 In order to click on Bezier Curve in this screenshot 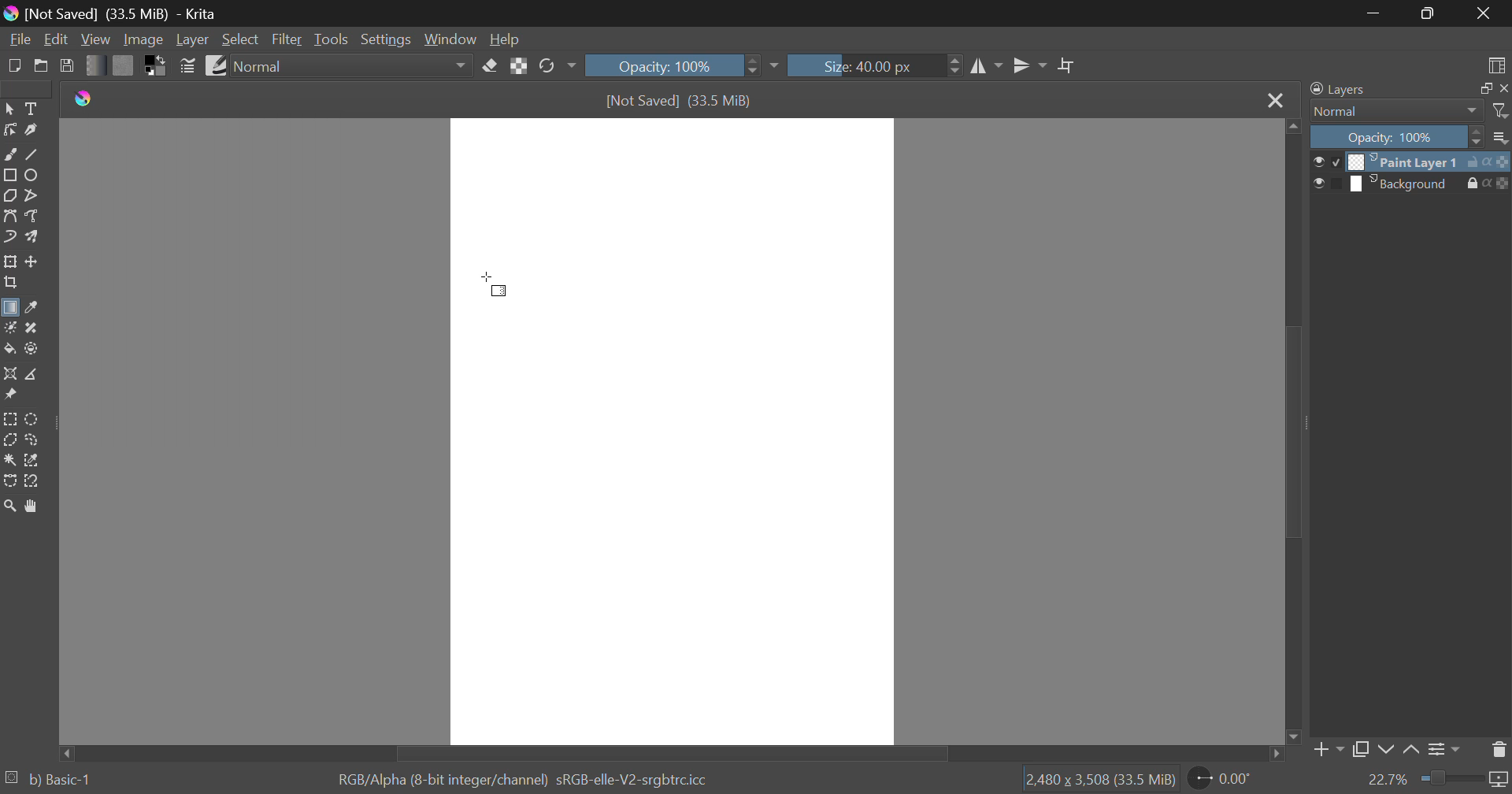, I will do `click(9, 216)`.